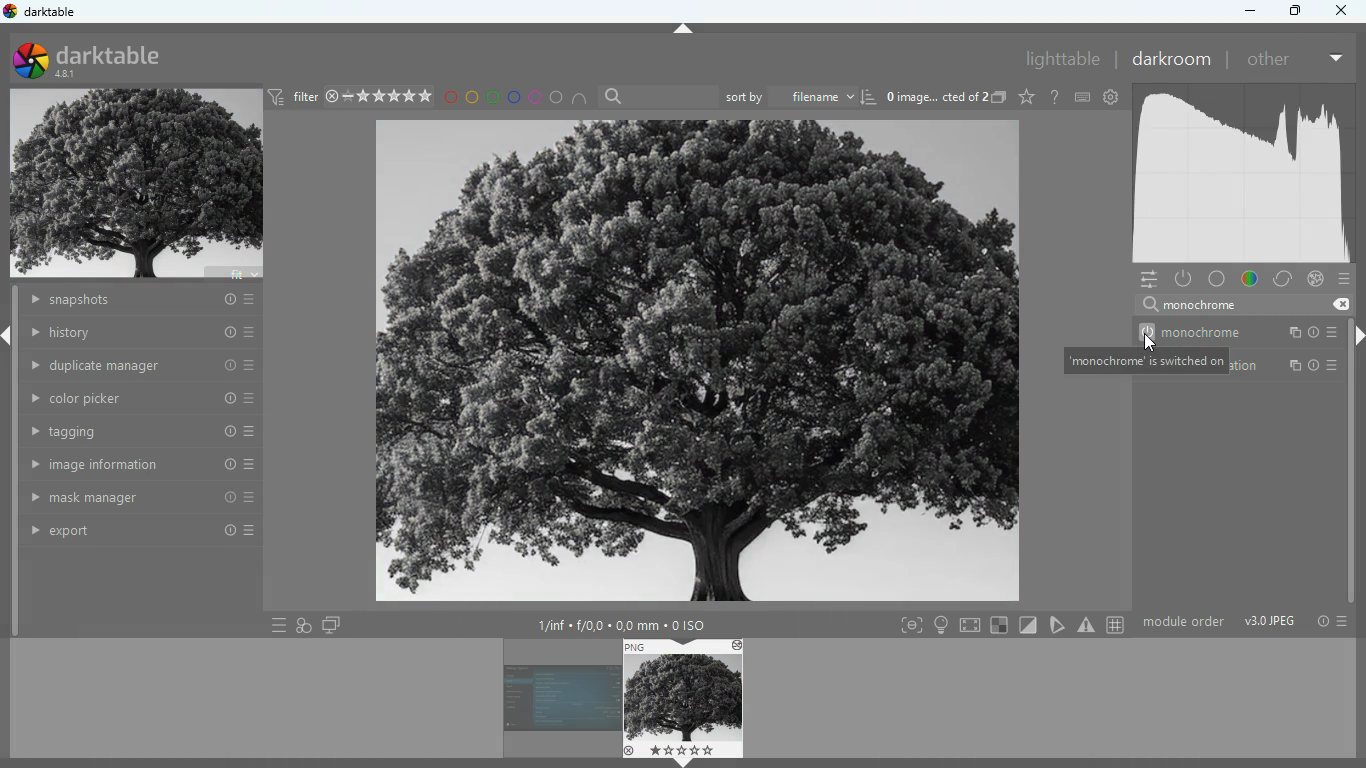 The height and width of the screenshot is (768, 1366). What do you see at coordinates (331, 624) in the screenshot?
I see `screens` at bounding box center [331, 624].